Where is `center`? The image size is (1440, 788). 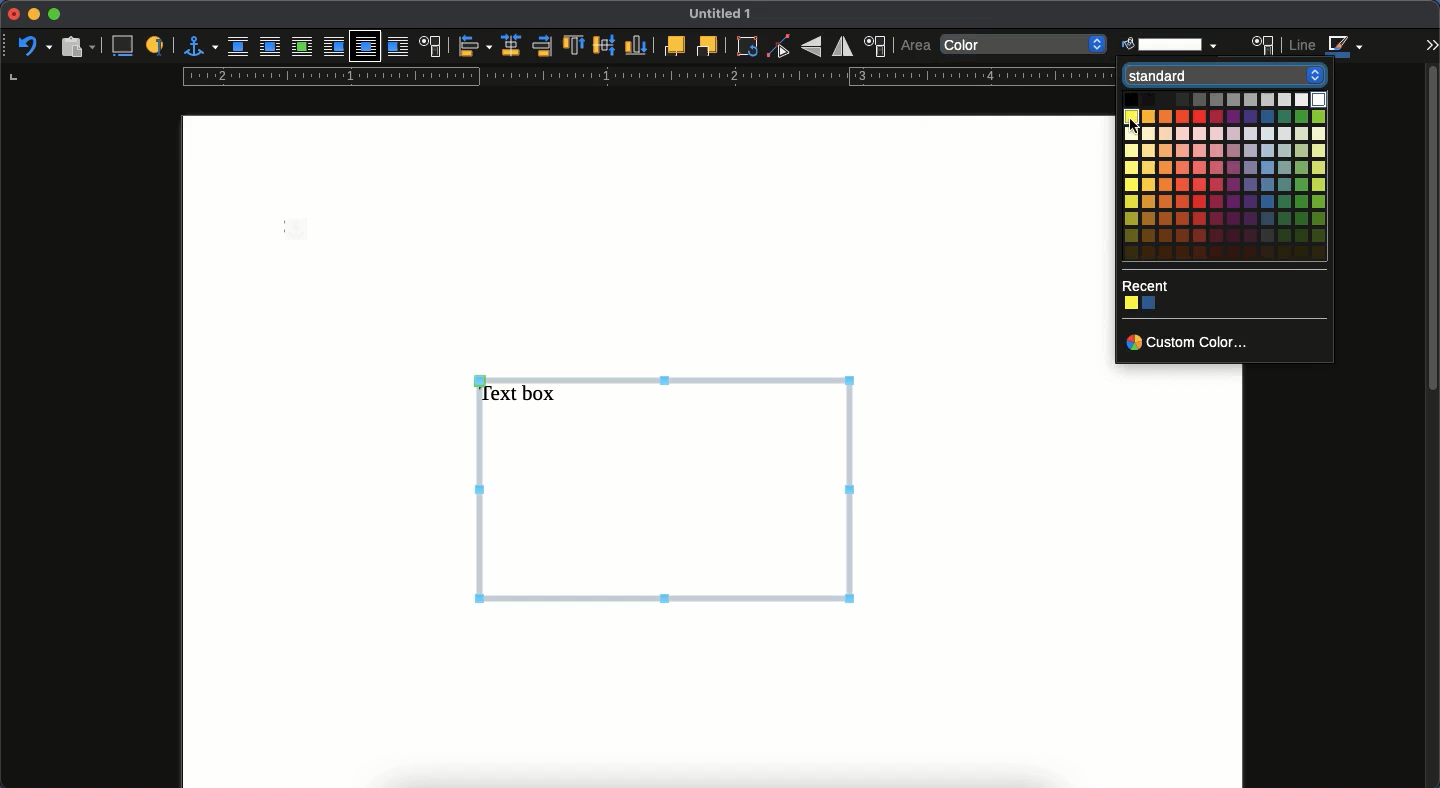 center is located at coordinates (604, 45).